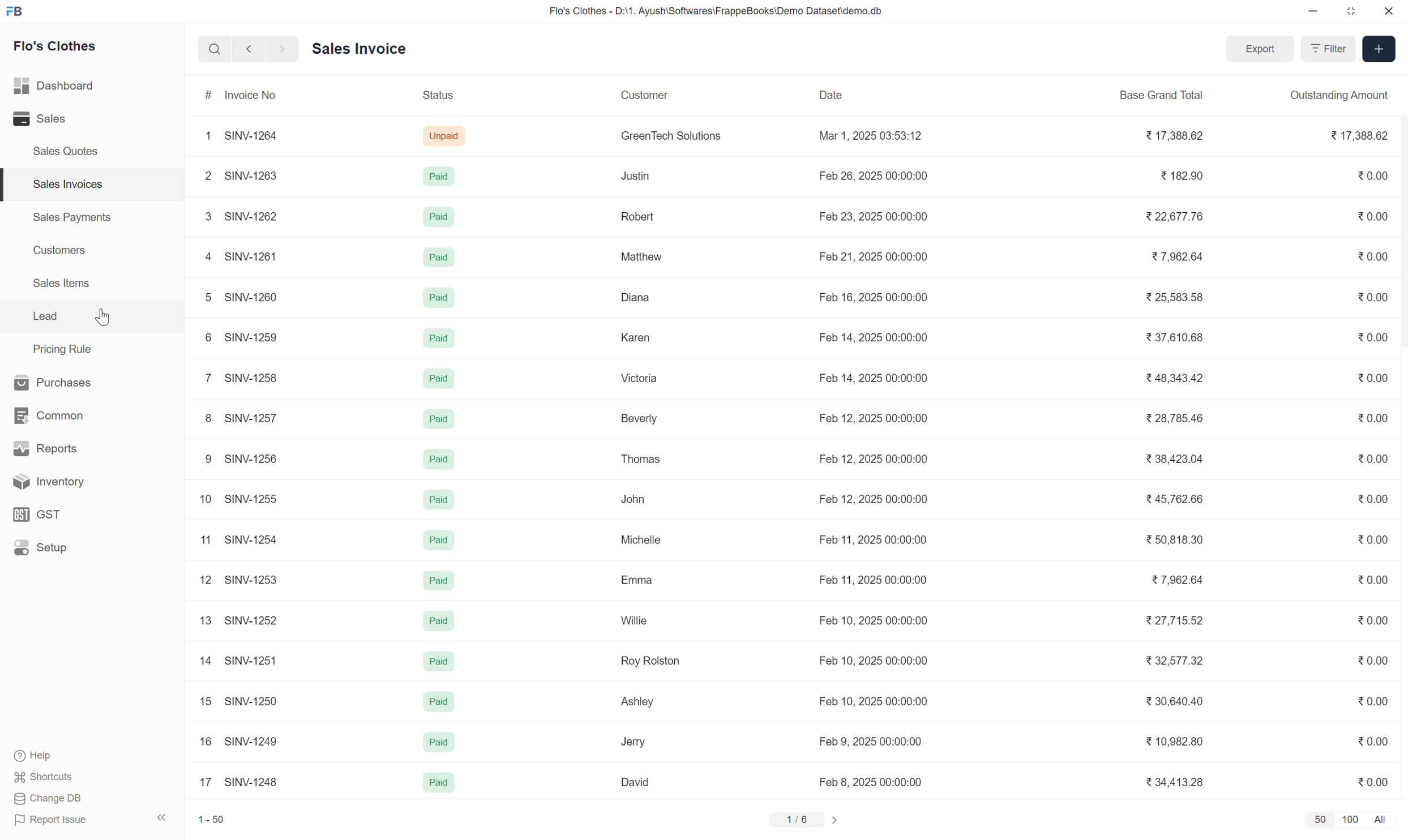 The image size is (1408, 840). I want to click on GreenTech Solutions, so click(667, 134).